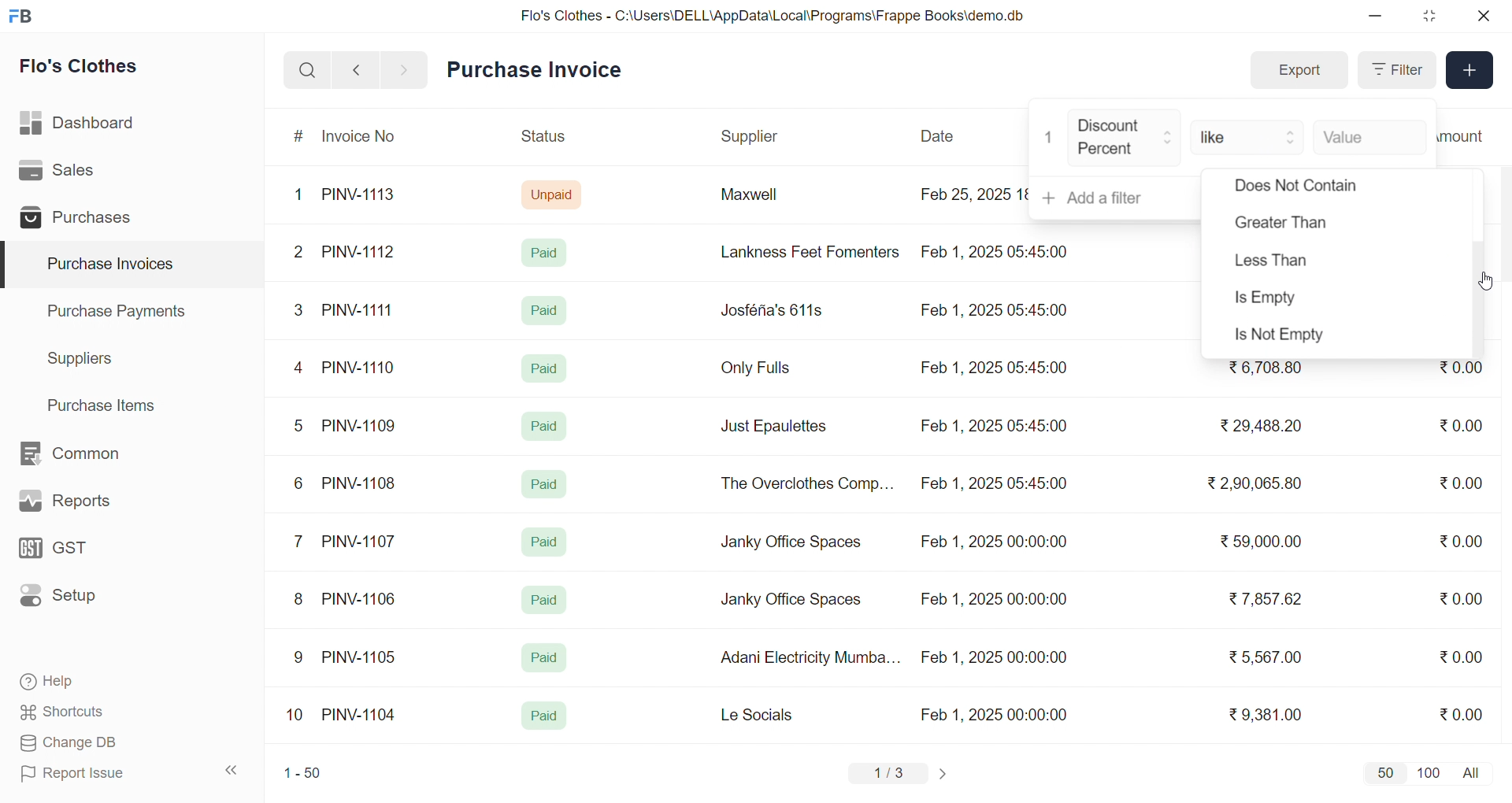 This screenshot has height=803, width=1512. Describe the element at coordinates (361, 425) in the screenshot. I see `PINV-1109` at that location.